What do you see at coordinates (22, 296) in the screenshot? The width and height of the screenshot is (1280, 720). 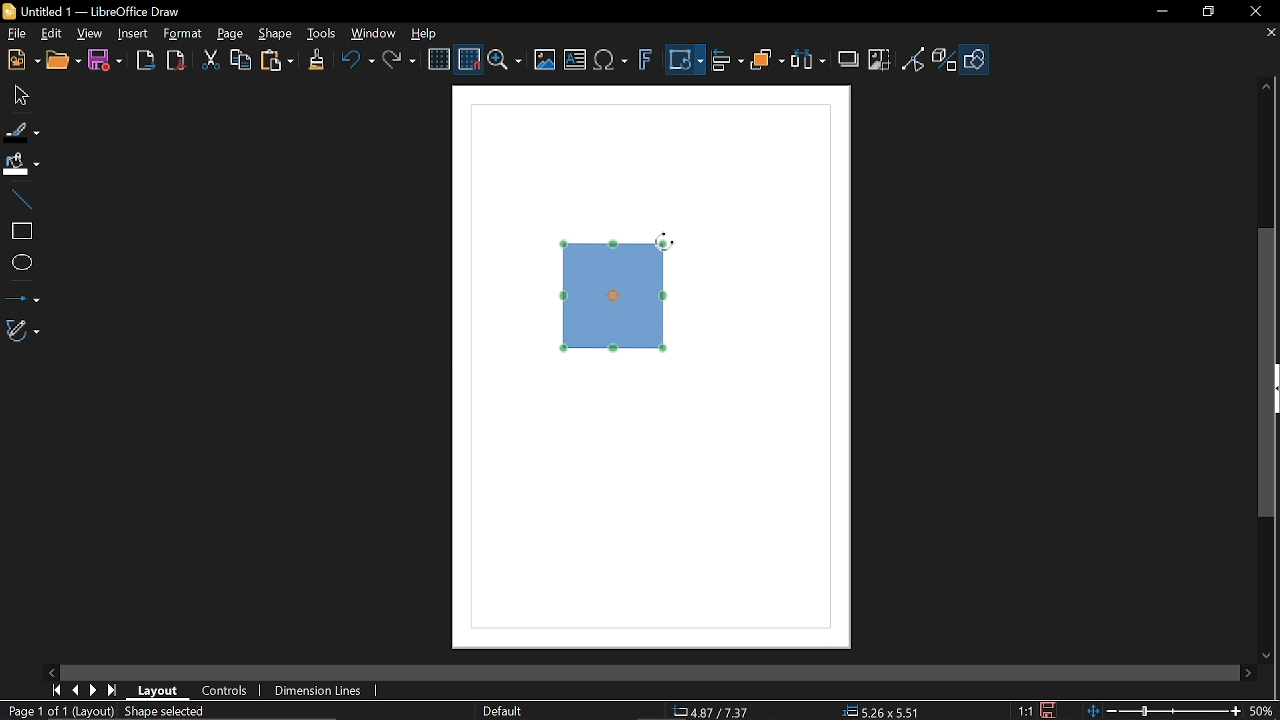 I see `Lines and arrows` at bounding box center [22, 296].